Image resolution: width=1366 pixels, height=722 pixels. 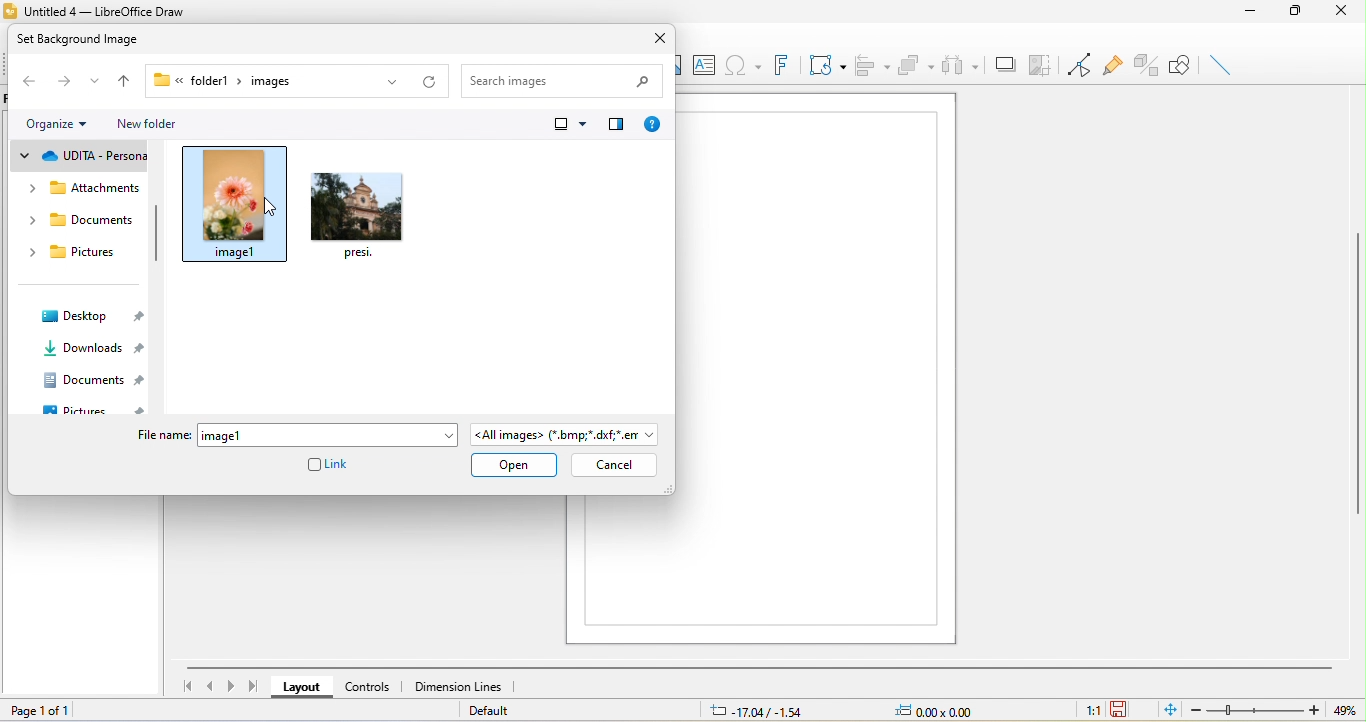 I want to click on font work text, so click(x=784, y=68).